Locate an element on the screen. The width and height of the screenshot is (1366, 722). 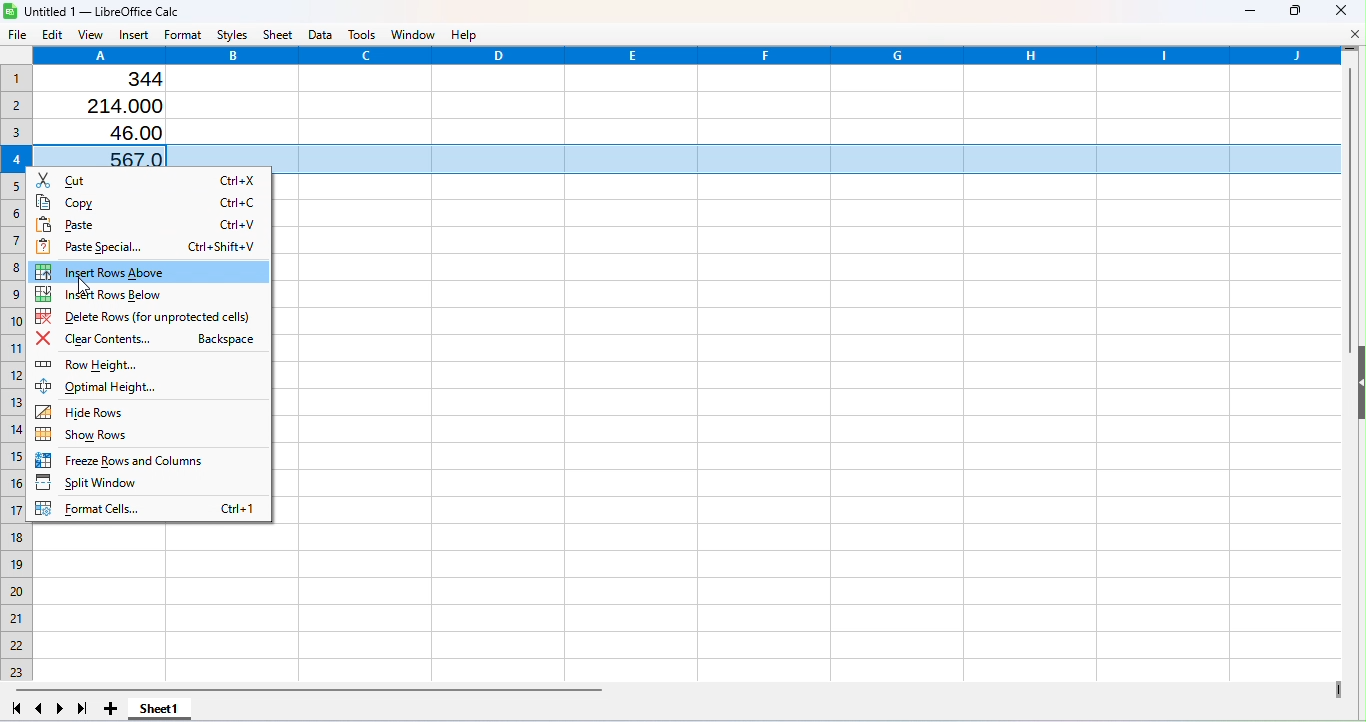
Show is located at coordinates (1358, 388).